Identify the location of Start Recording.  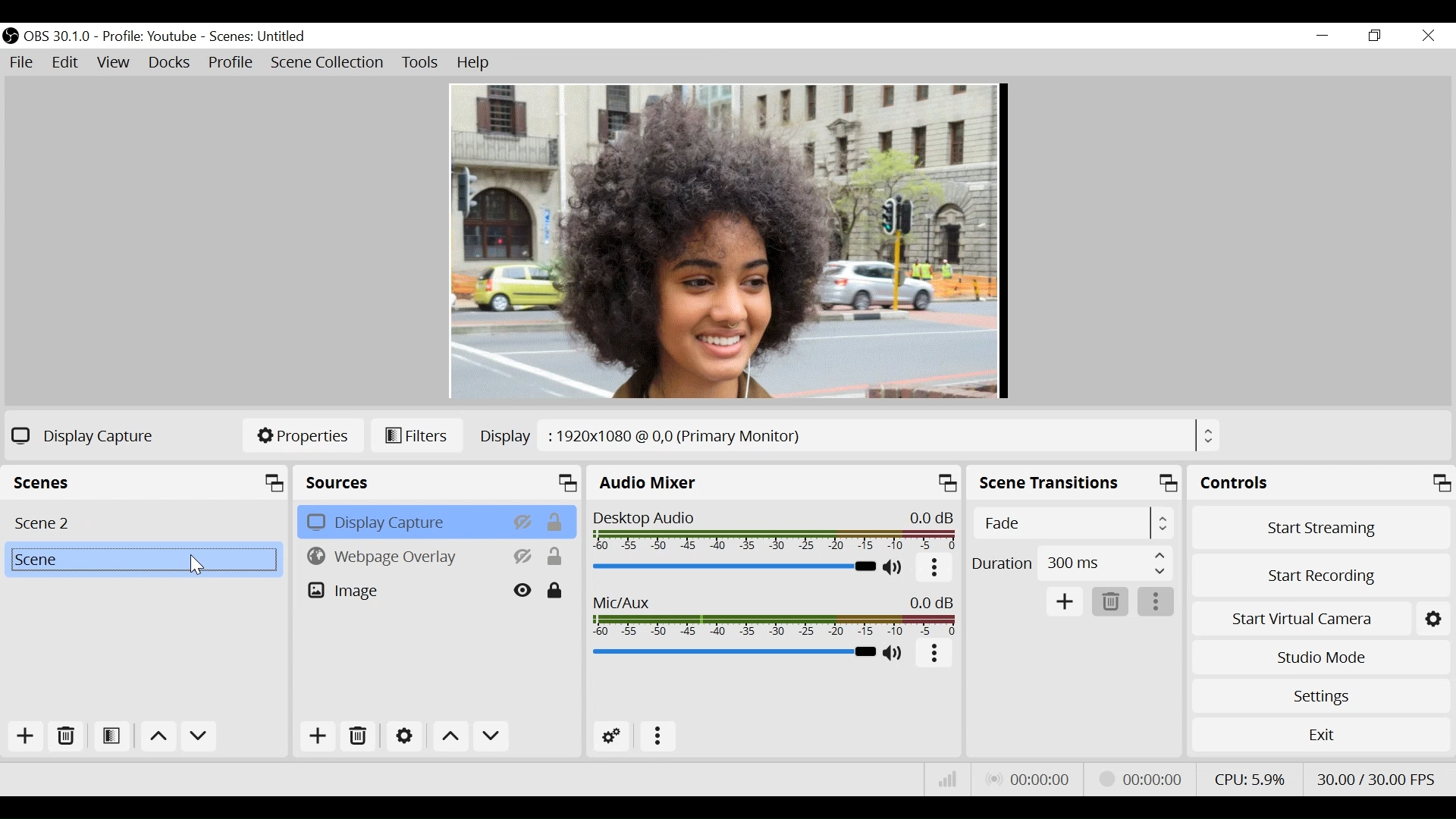
(1318, 578).